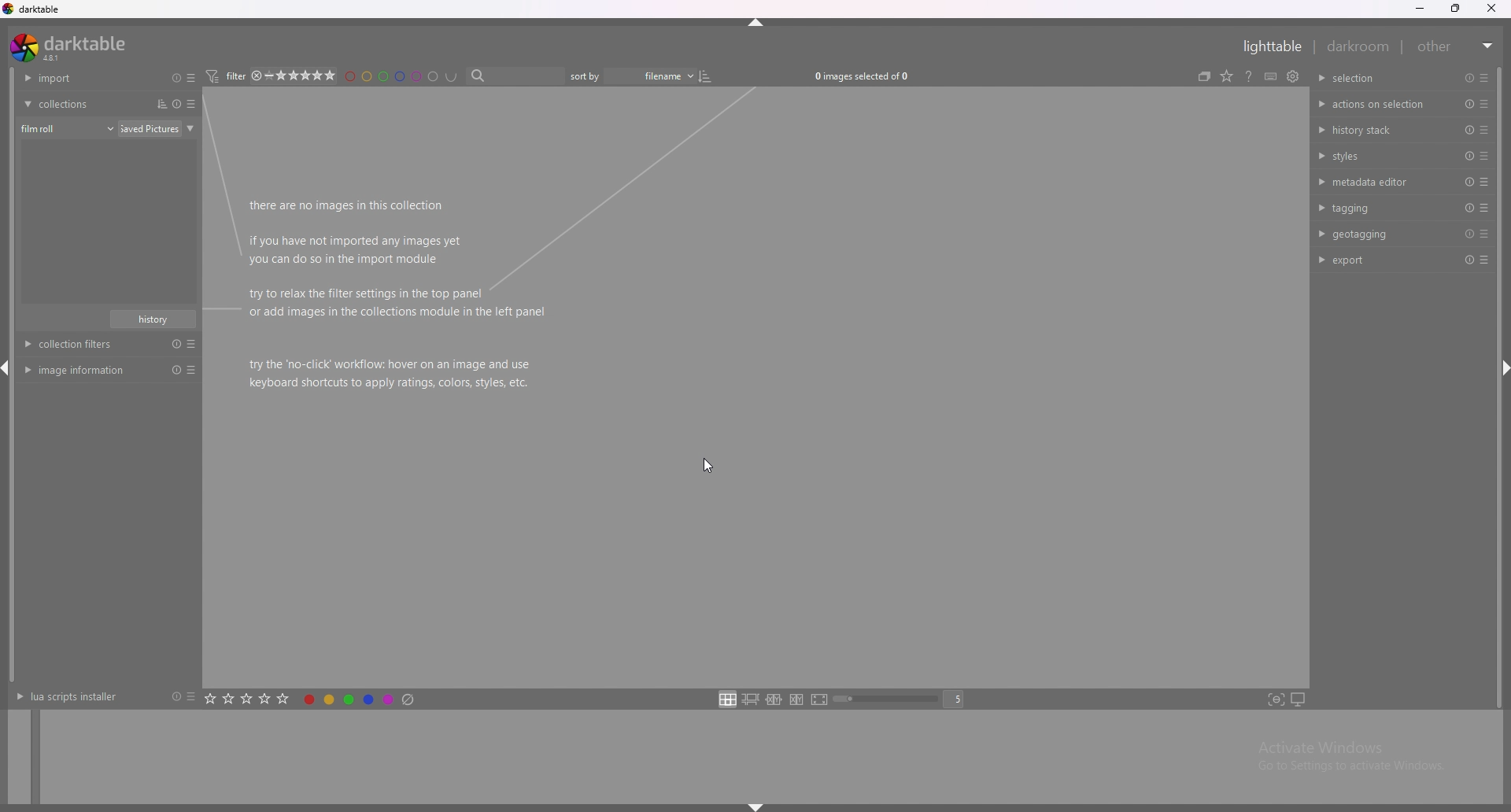  What do you see at coordinates (590, 76) in the screenshot?
I see `sort bar` at bounding box center [590, 76].